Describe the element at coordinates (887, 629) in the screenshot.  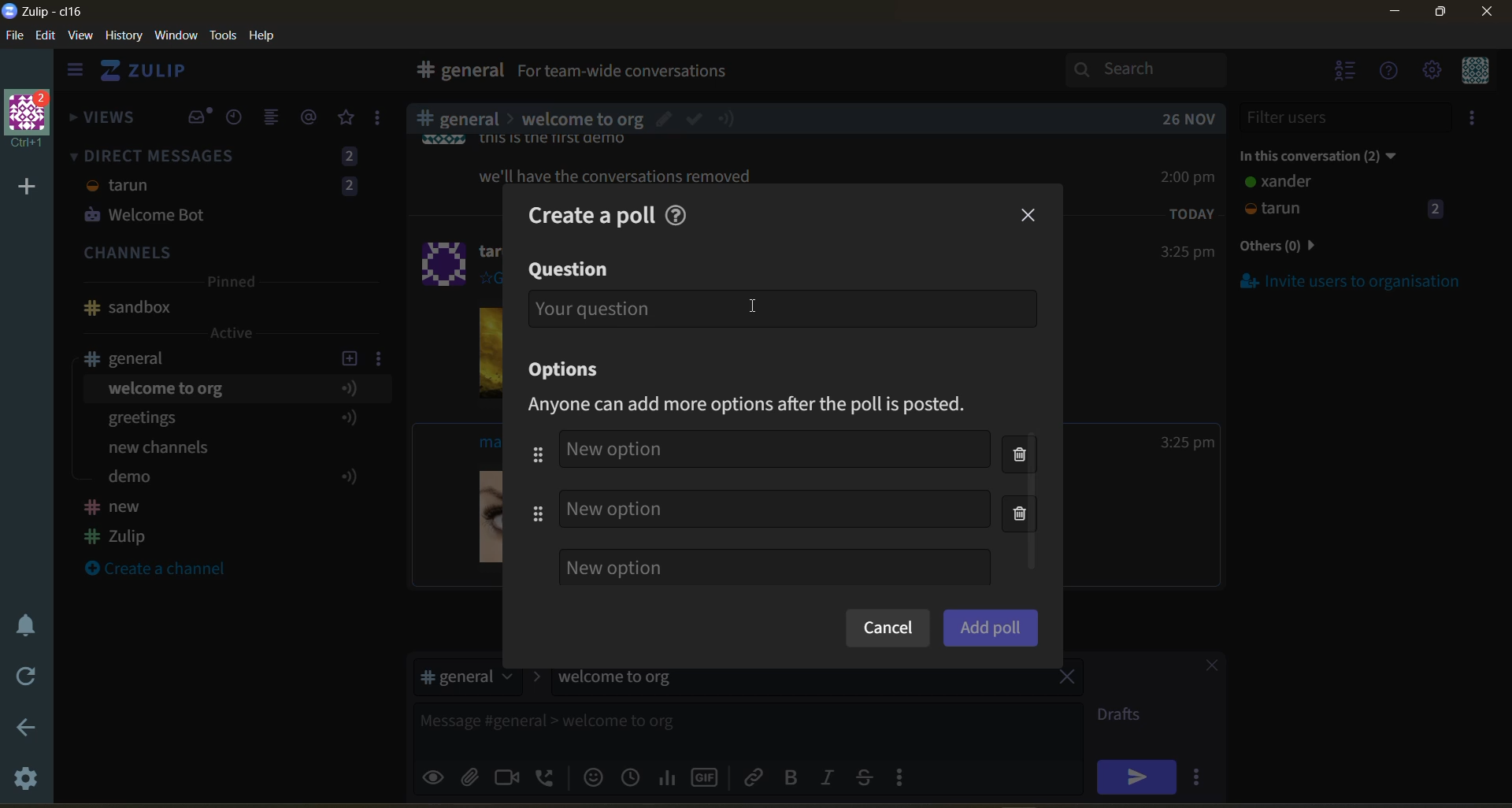
I see `cancel` at that location.